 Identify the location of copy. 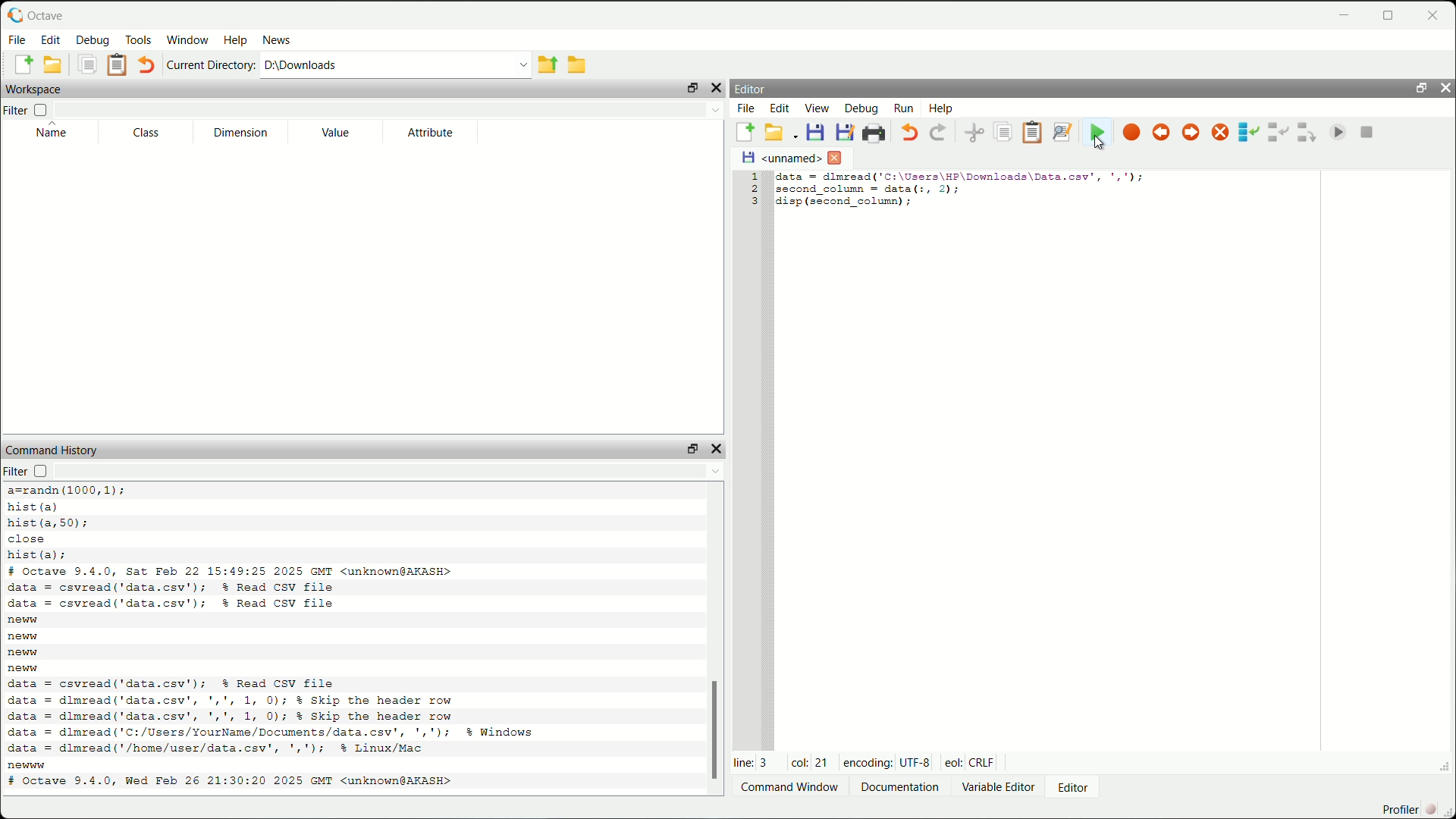
(1006, 134).